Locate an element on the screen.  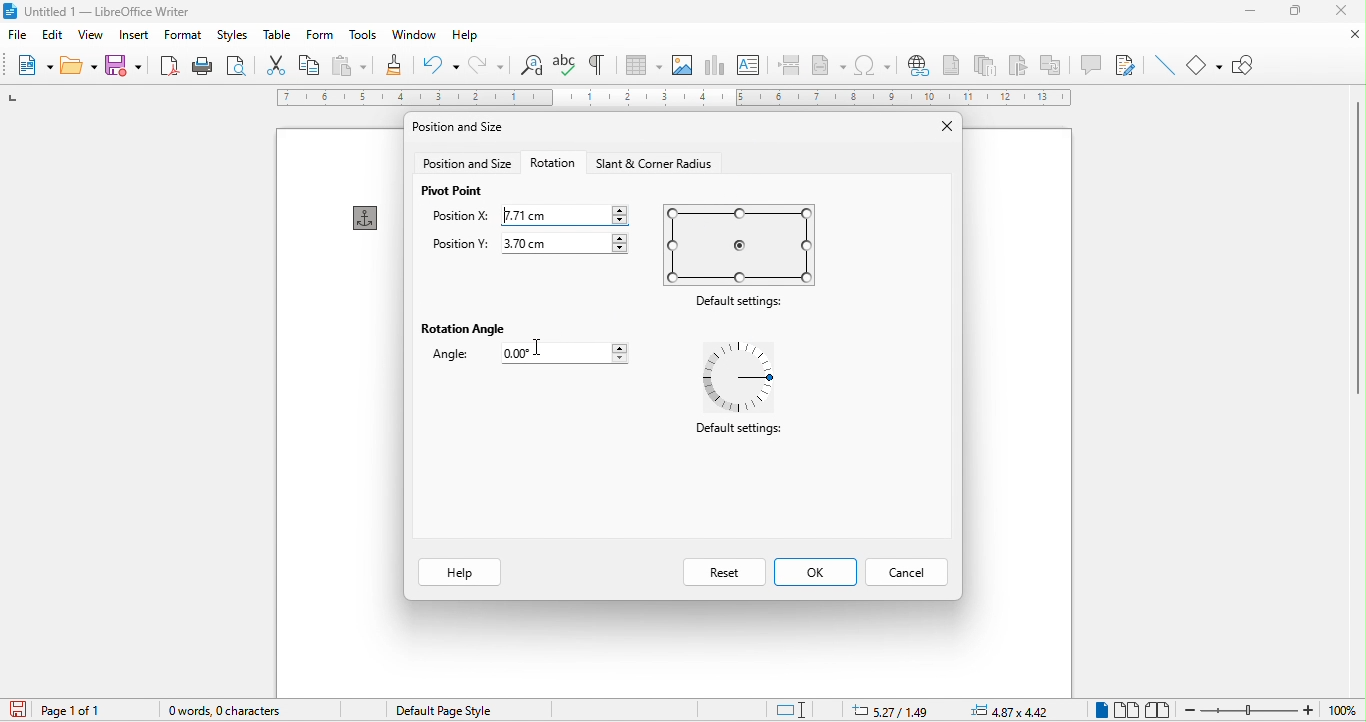
rotation angle is located at coordinates (462, 326).